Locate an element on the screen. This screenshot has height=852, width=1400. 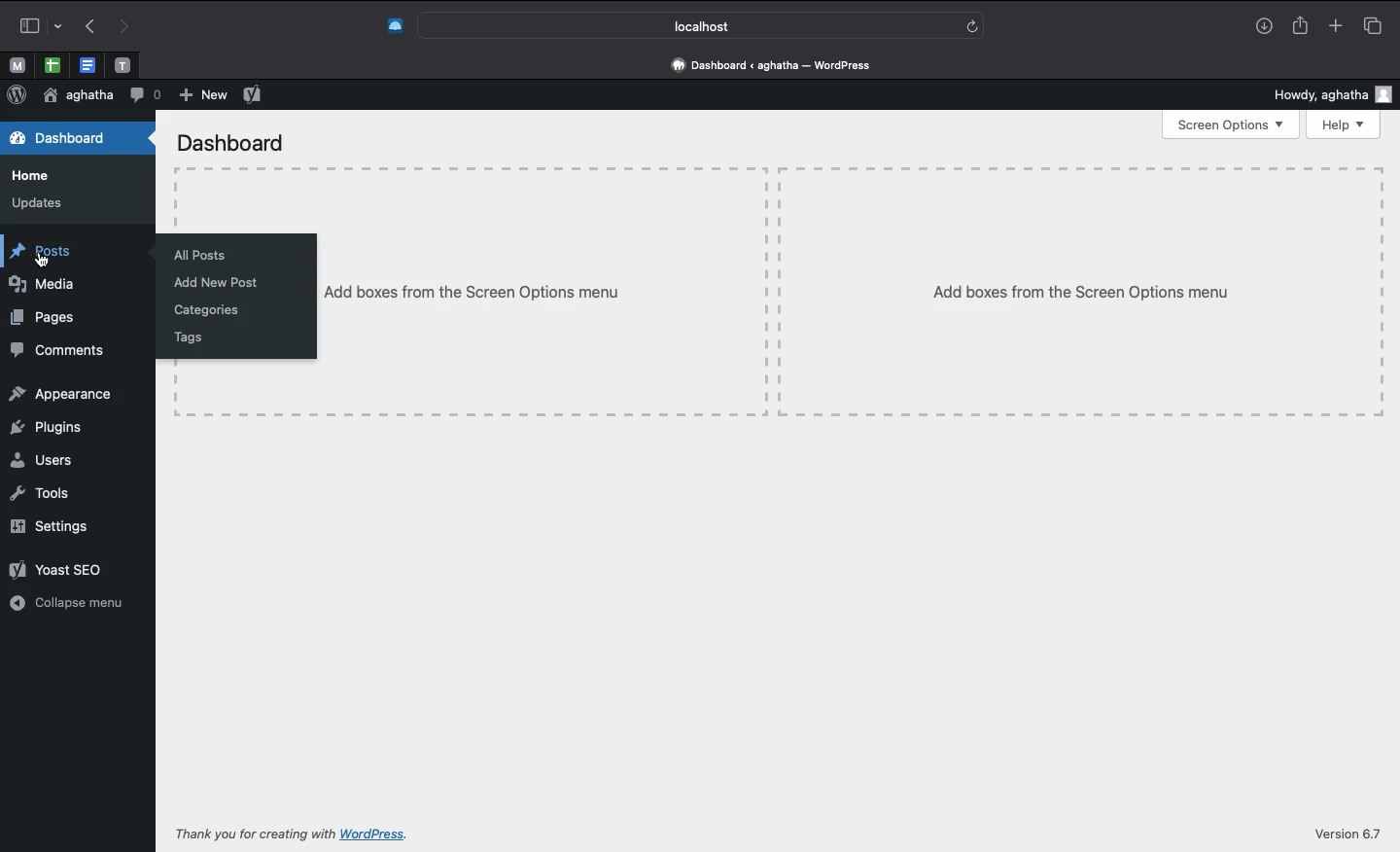
Pages is located at coordinates (43, 317).